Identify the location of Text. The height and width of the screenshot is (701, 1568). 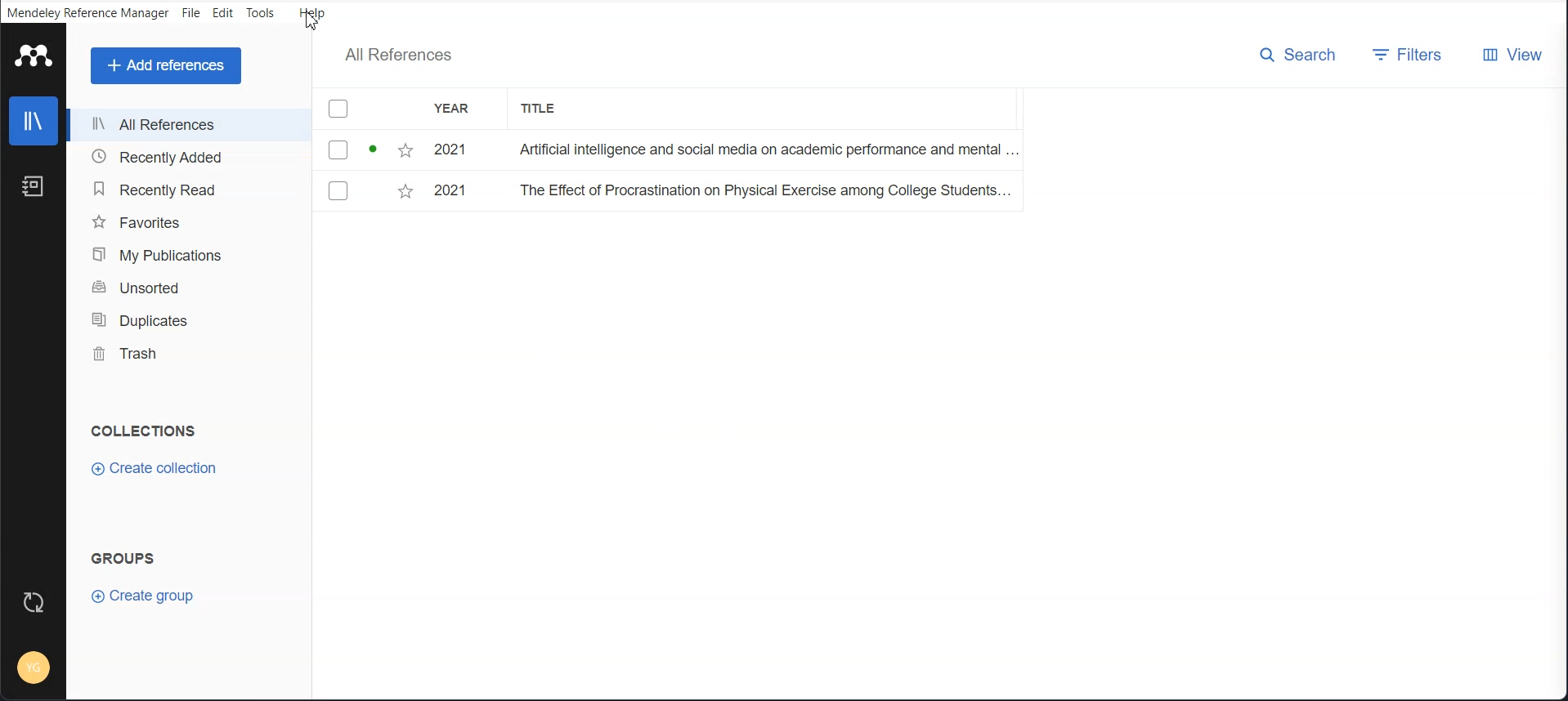
(124, 558).